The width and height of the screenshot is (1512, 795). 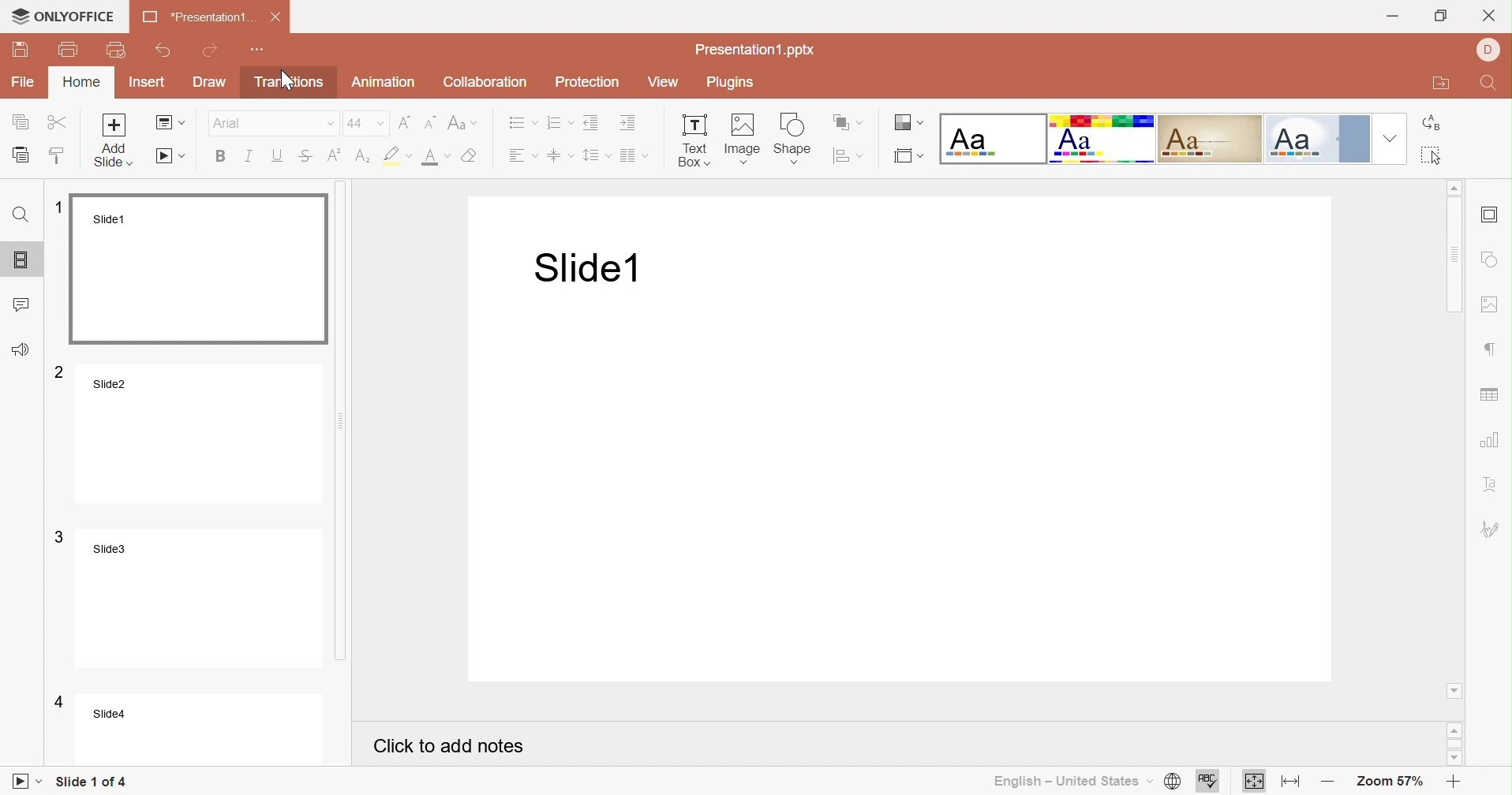 I want to click on Spell checking, so click(x=1208, y=782).